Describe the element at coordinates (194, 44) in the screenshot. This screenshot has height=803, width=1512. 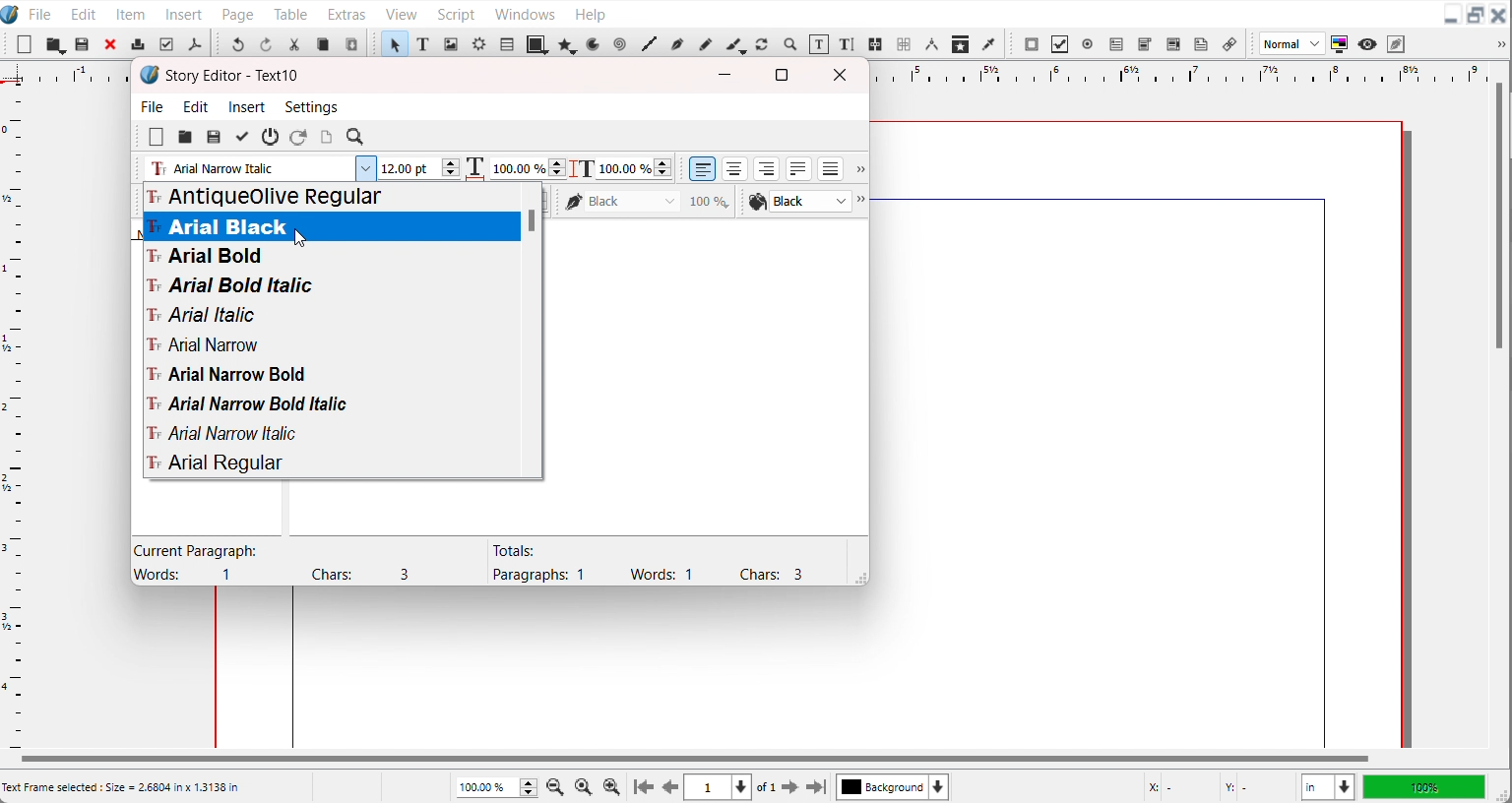
I see `Save as PDF` at that location.